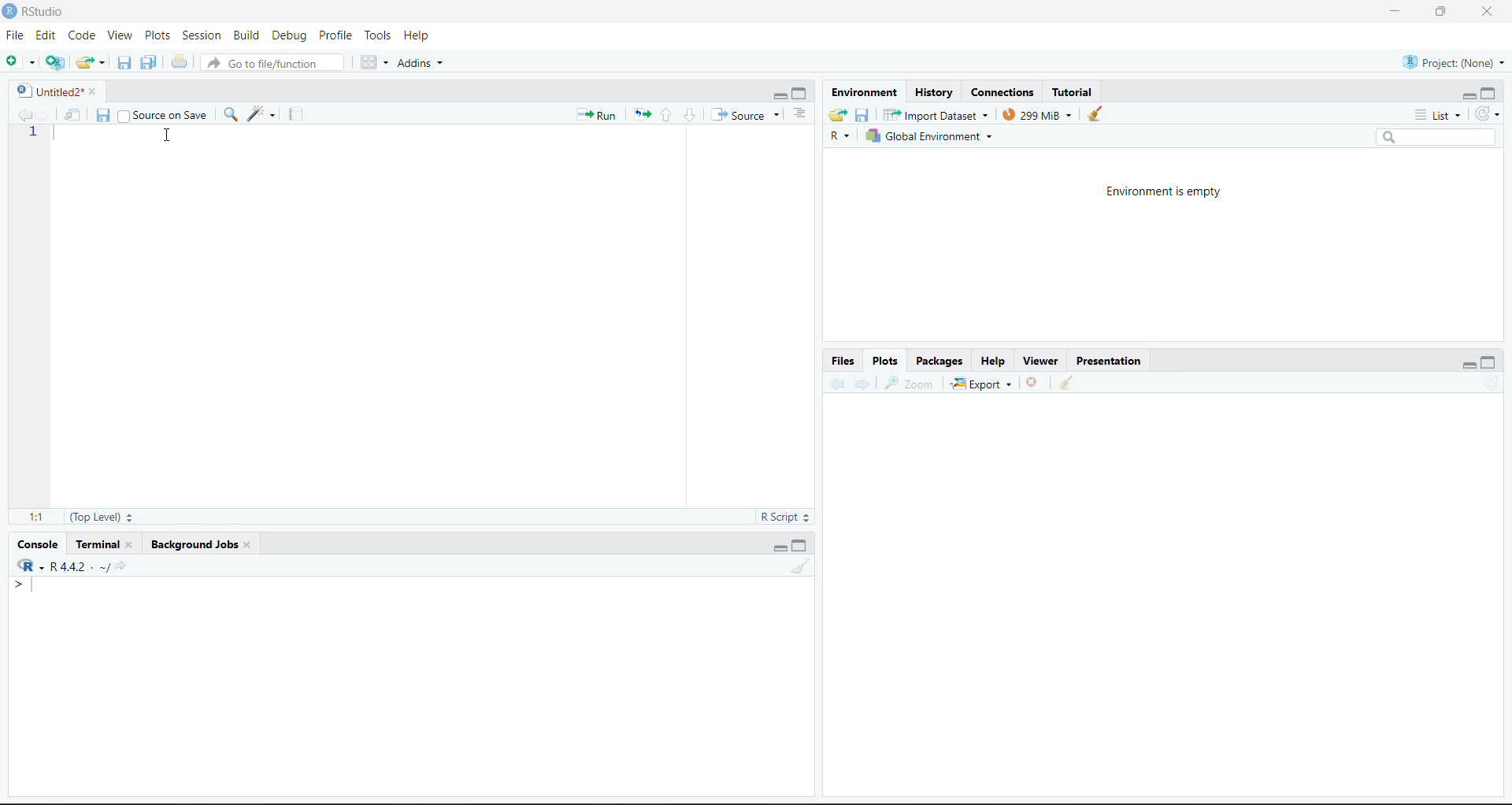  Describe the element at coordinates (95, 91) in the screenshot. I see `close` at that location.